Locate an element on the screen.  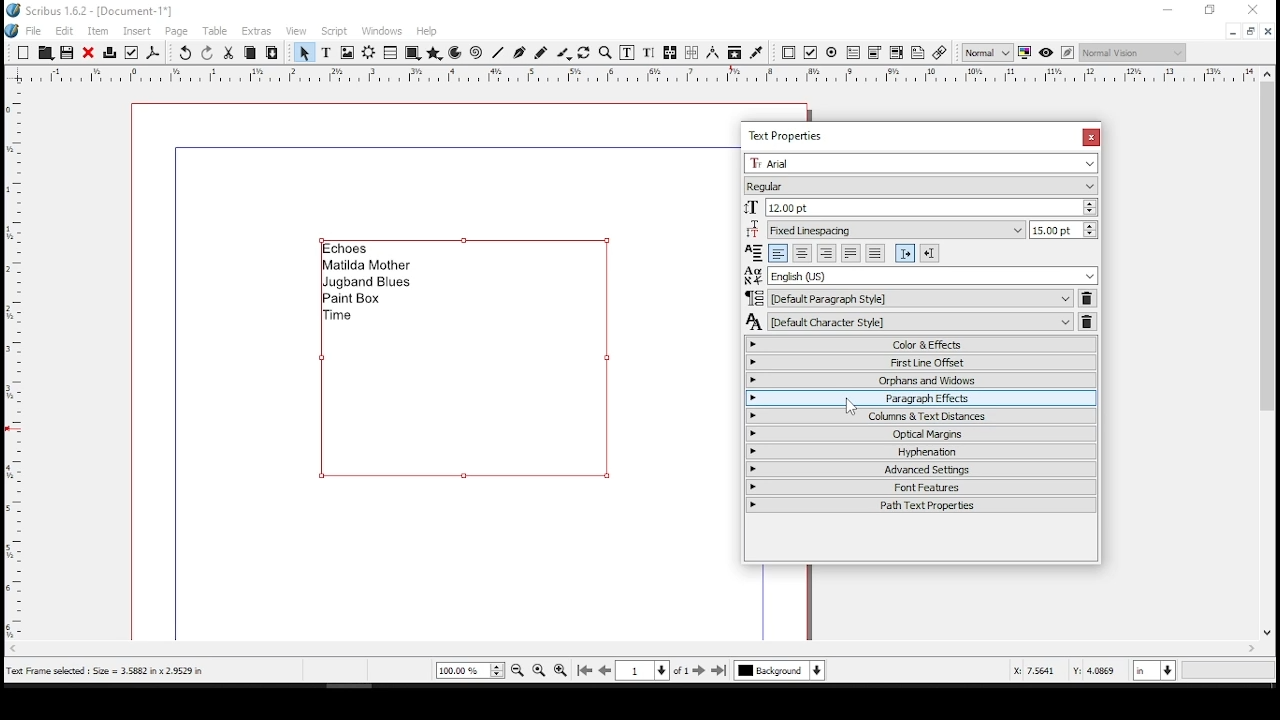
color and effects is located at coordinates (921, 344).